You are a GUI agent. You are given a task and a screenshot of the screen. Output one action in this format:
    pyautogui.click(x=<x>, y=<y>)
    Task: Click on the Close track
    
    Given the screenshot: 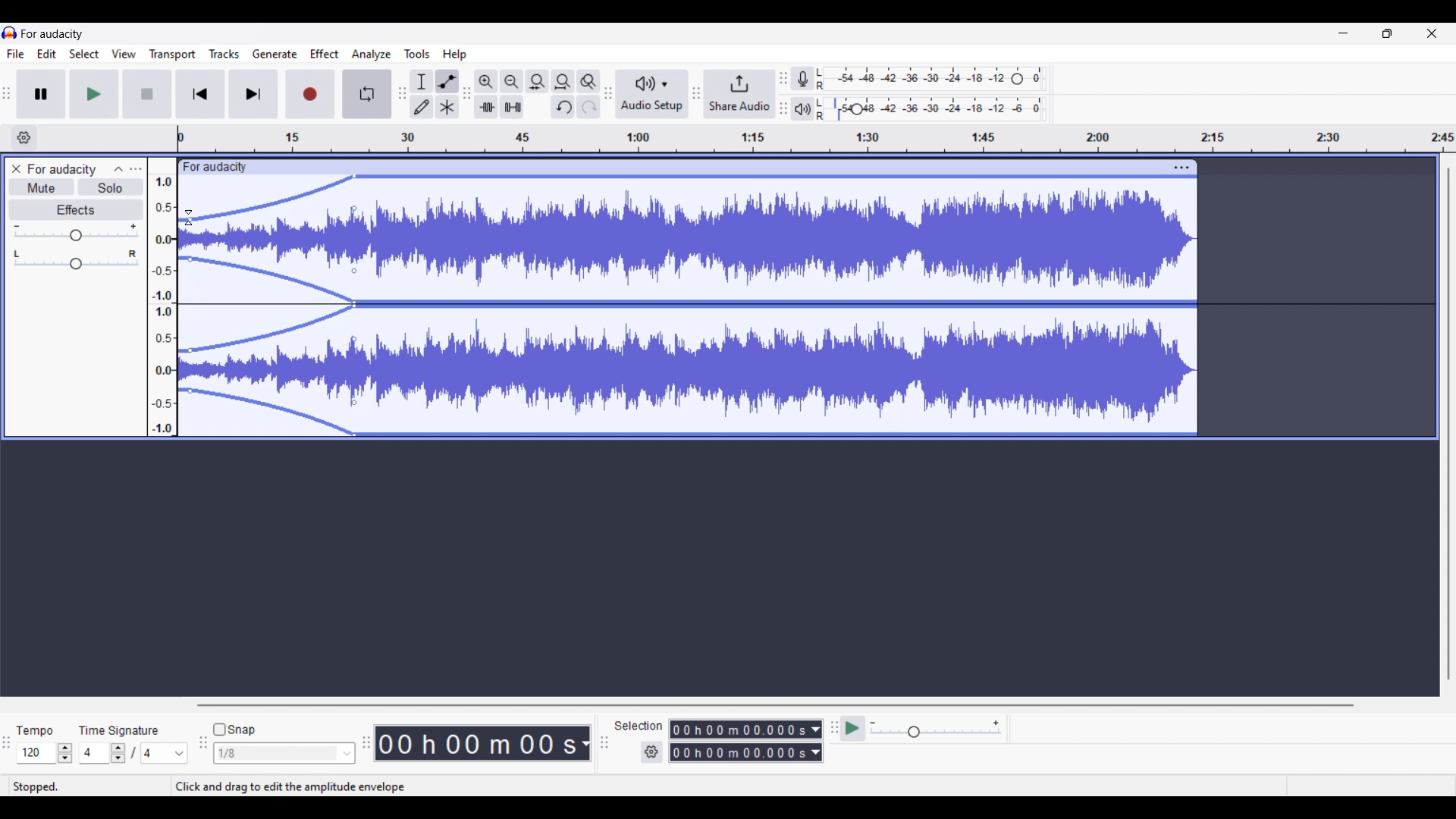 What is the action you would take?
    pyautogui.click(x=17, y=168)
    